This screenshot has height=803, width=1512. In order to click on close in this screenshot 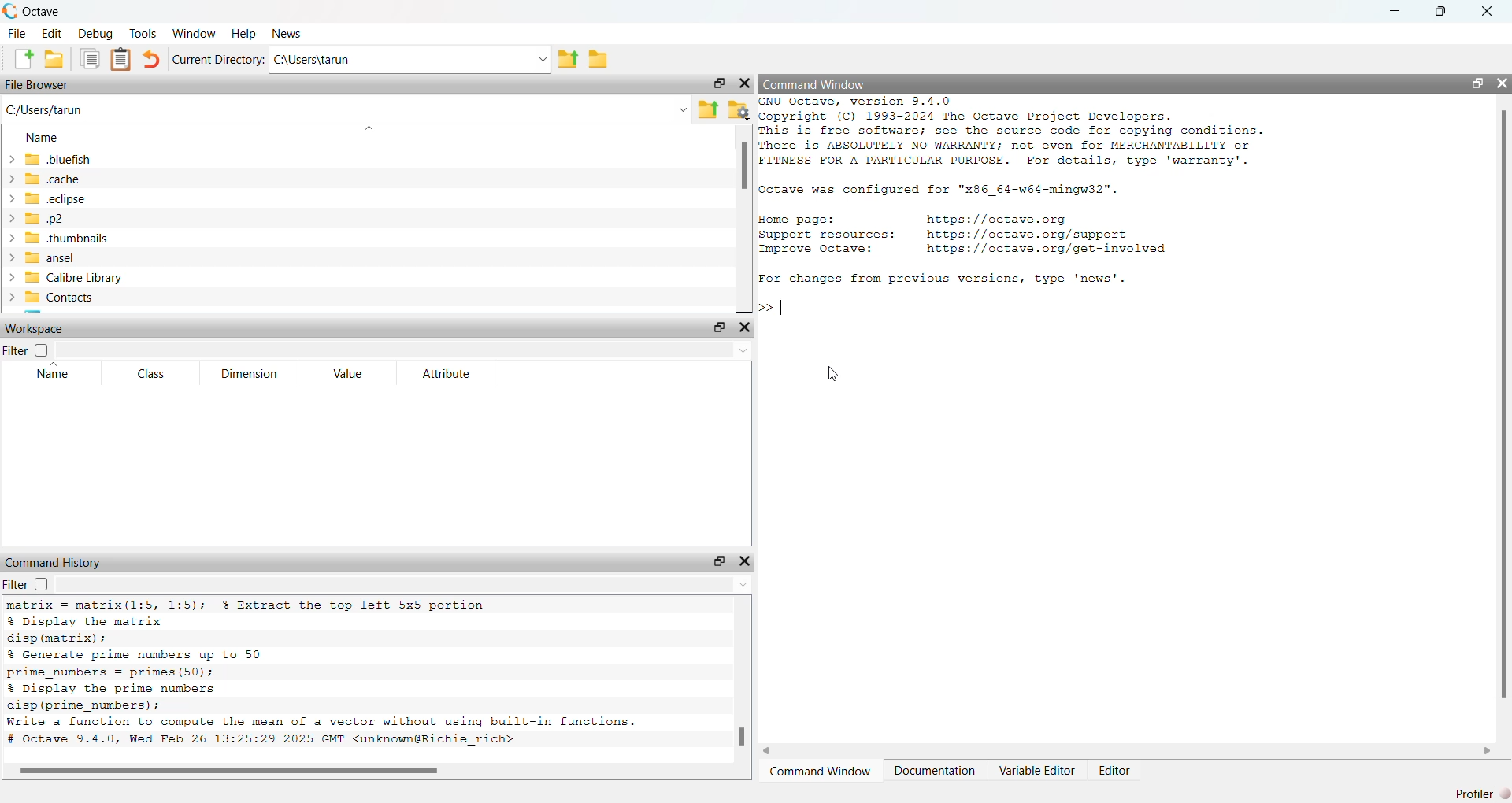, I will do `click(745, 83)`.